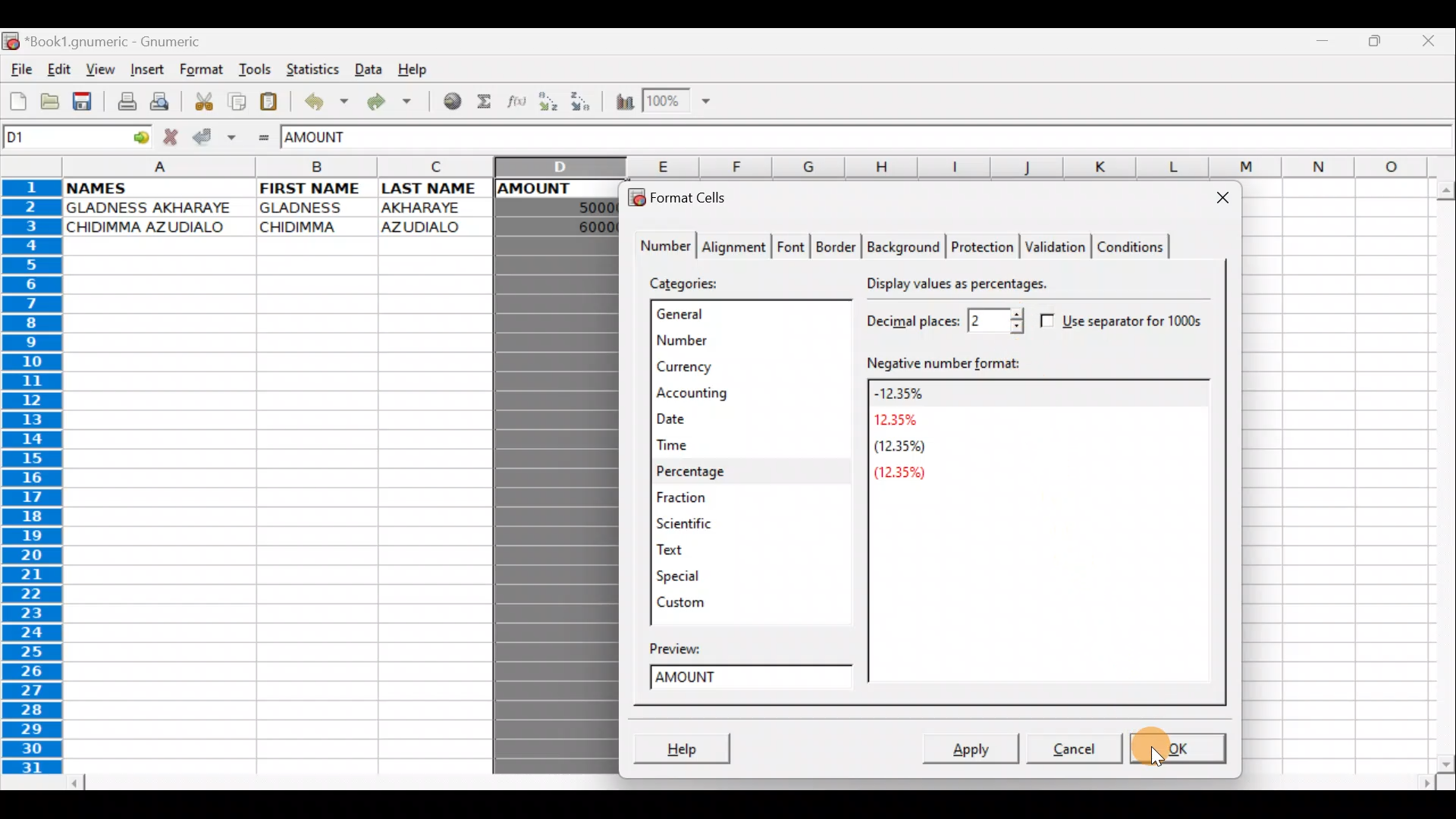 Image resolution: width=1456 pixels, height=819 pixels. What do you see at coordinates (745, 780) in the screenshot?
I see `Scroll bar` at bounding box center [745, 780].